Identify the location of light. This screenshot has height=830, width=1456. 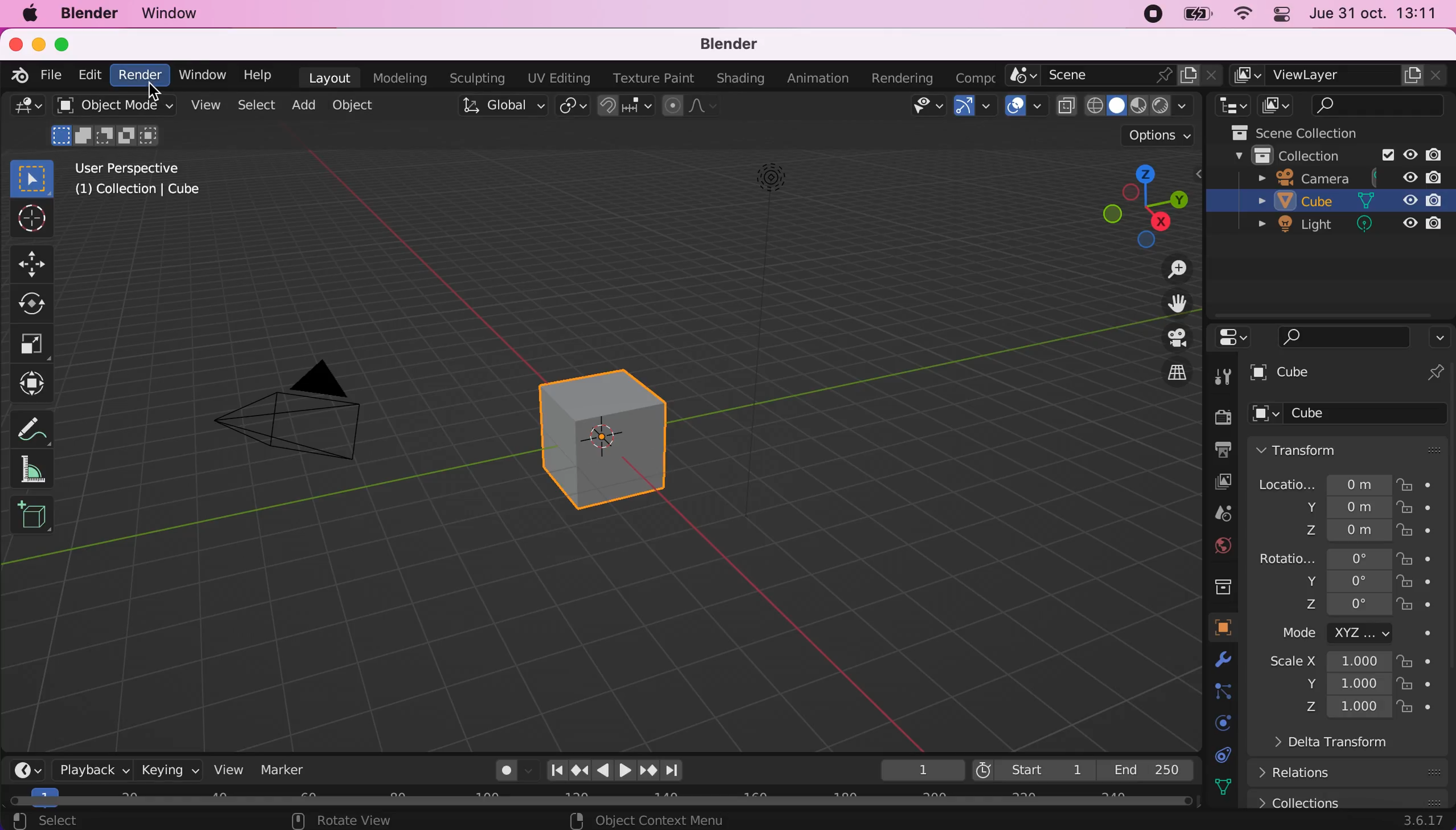
(769, 194).